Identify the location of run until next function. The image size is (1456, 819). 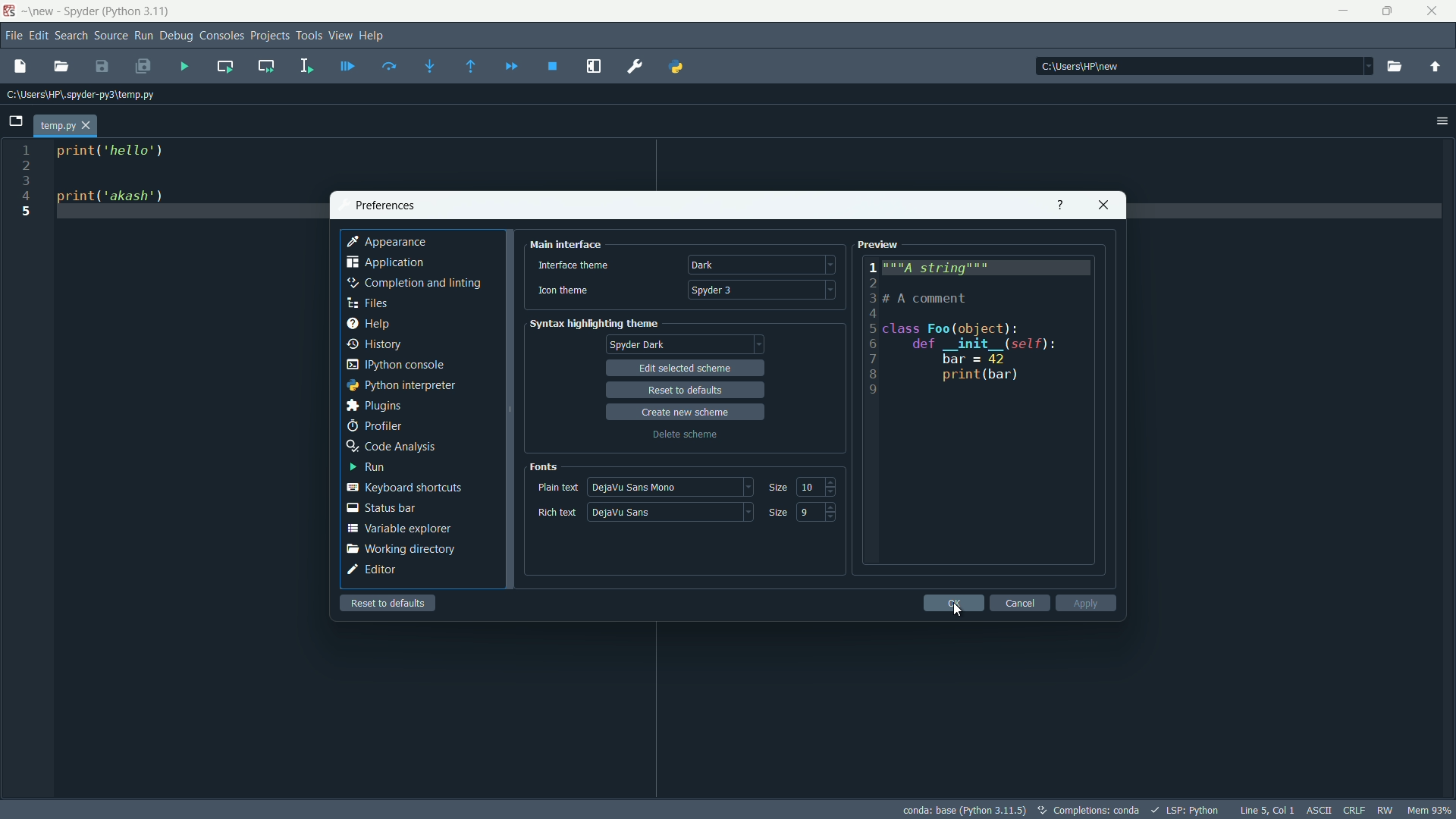
(472, 67).